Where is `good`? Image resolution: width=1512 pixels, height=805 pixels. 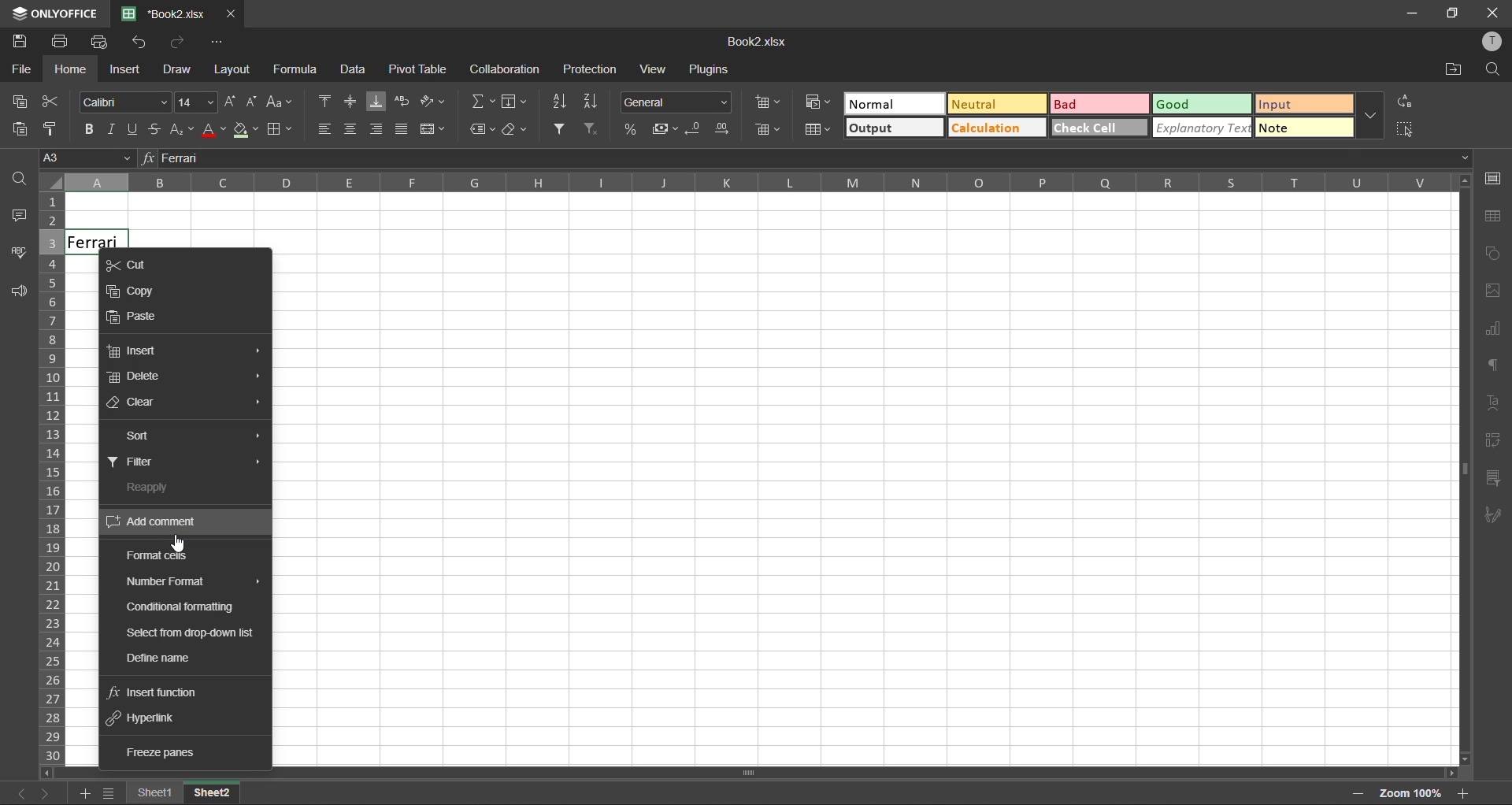
good is located at coordinates (1196, 105).